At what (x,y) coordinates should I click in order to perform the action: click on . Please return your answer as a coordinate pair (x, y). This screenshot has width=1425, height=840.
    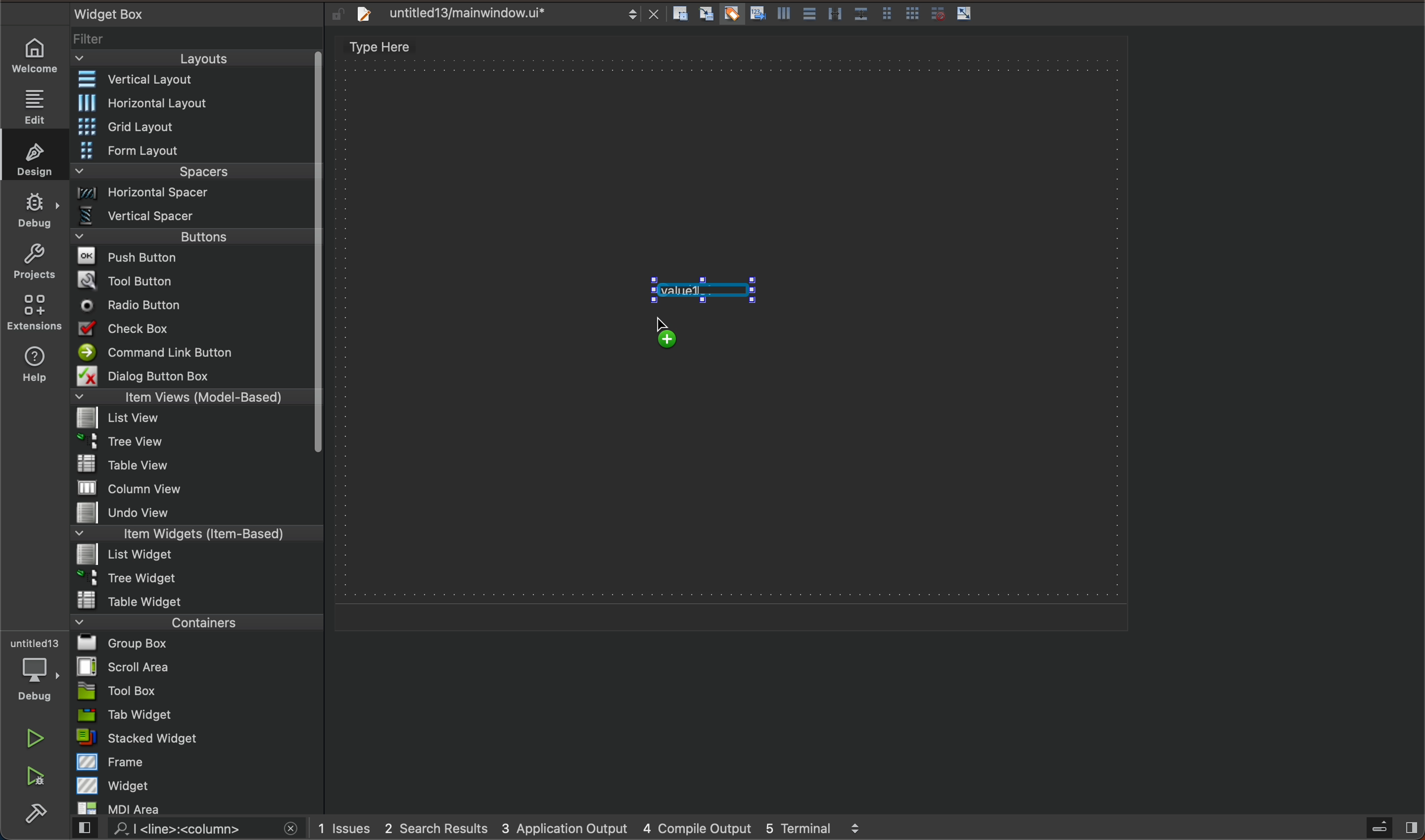
    Looking at the image, I should click on (808, 15).